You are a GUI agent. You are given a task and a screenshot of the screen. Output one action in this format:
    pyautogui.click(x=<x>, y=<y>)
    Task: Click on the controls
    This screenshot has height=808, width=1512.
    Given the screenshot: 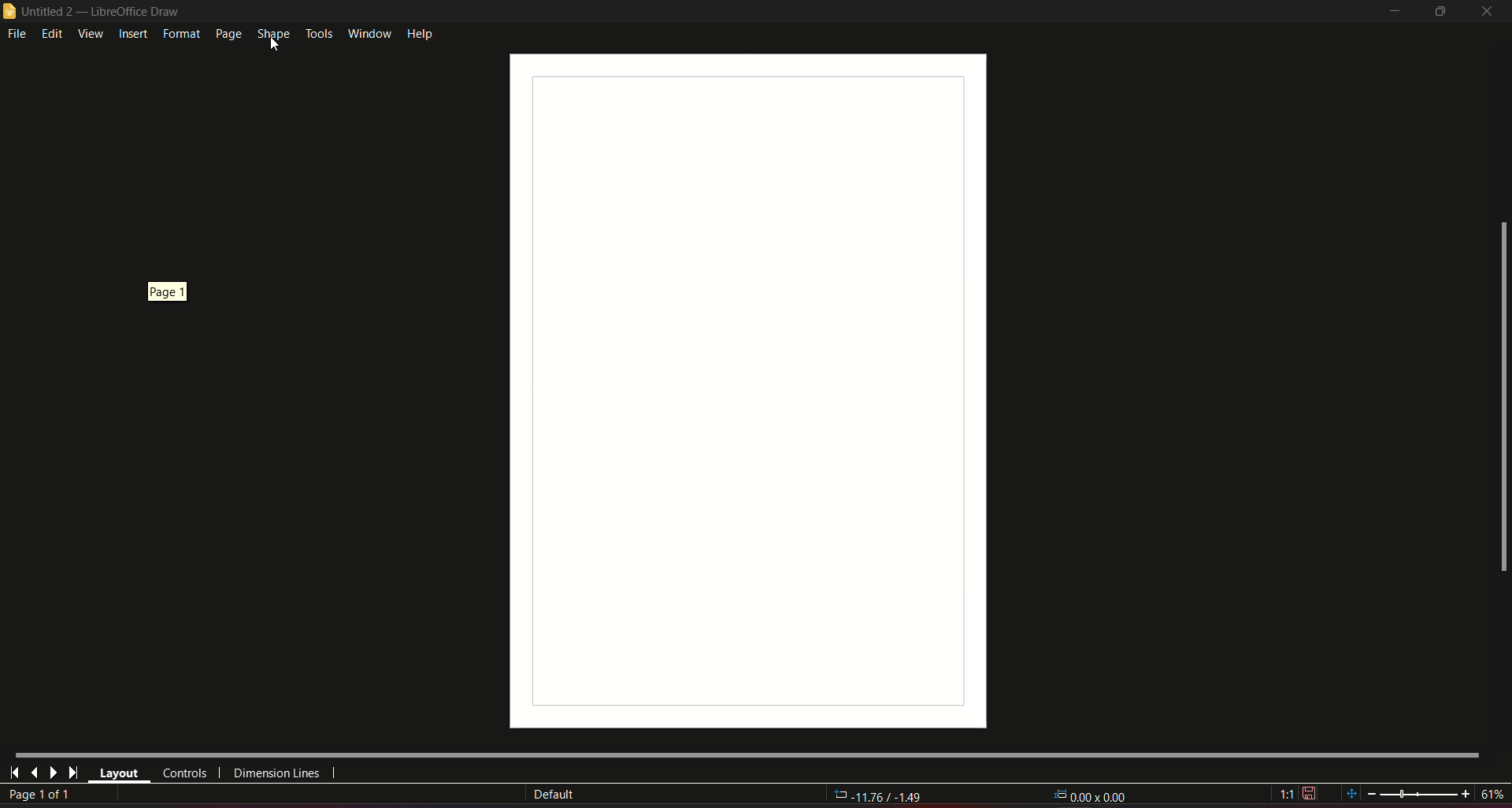 What is the action you would take?
    pyautogui.click(x=183, y=773)
    